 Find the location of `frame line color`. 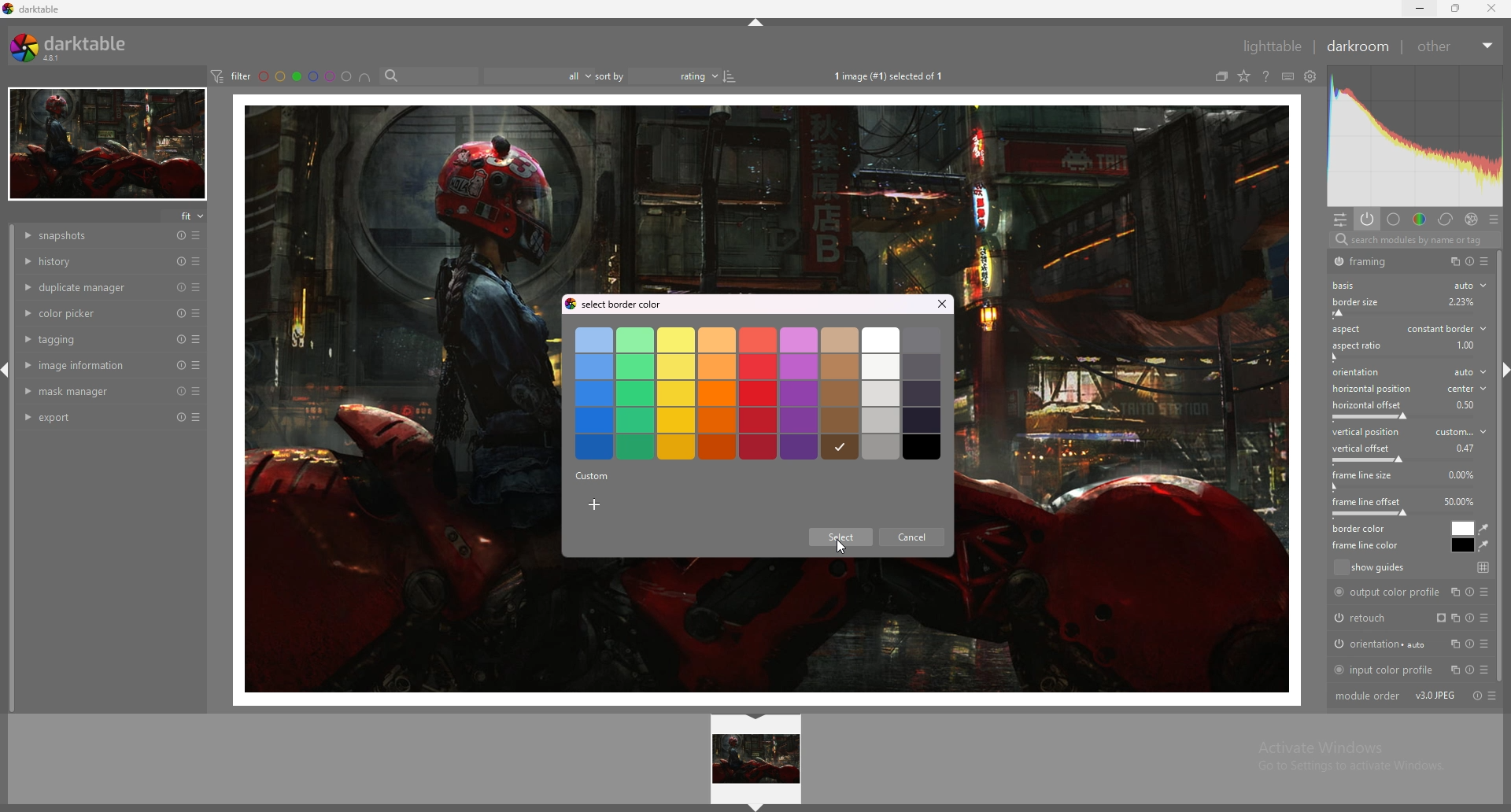

frame line color is located at coordinates (1462, 545).